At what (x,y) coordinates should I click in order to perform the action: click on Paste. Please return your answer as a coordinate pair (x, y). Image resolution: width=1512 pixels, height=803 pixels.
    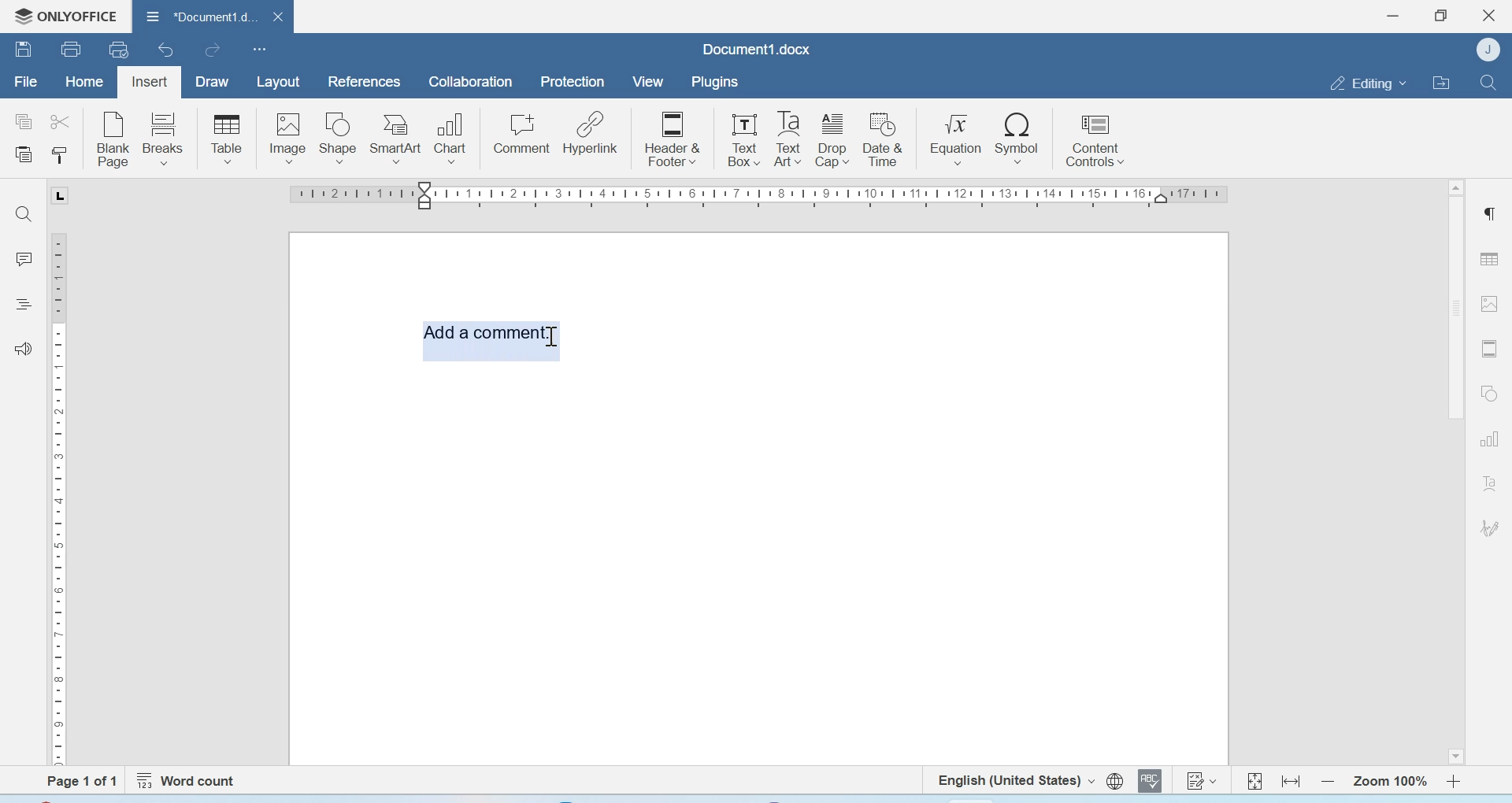
    Looking at the image, I should click on (25, 156).